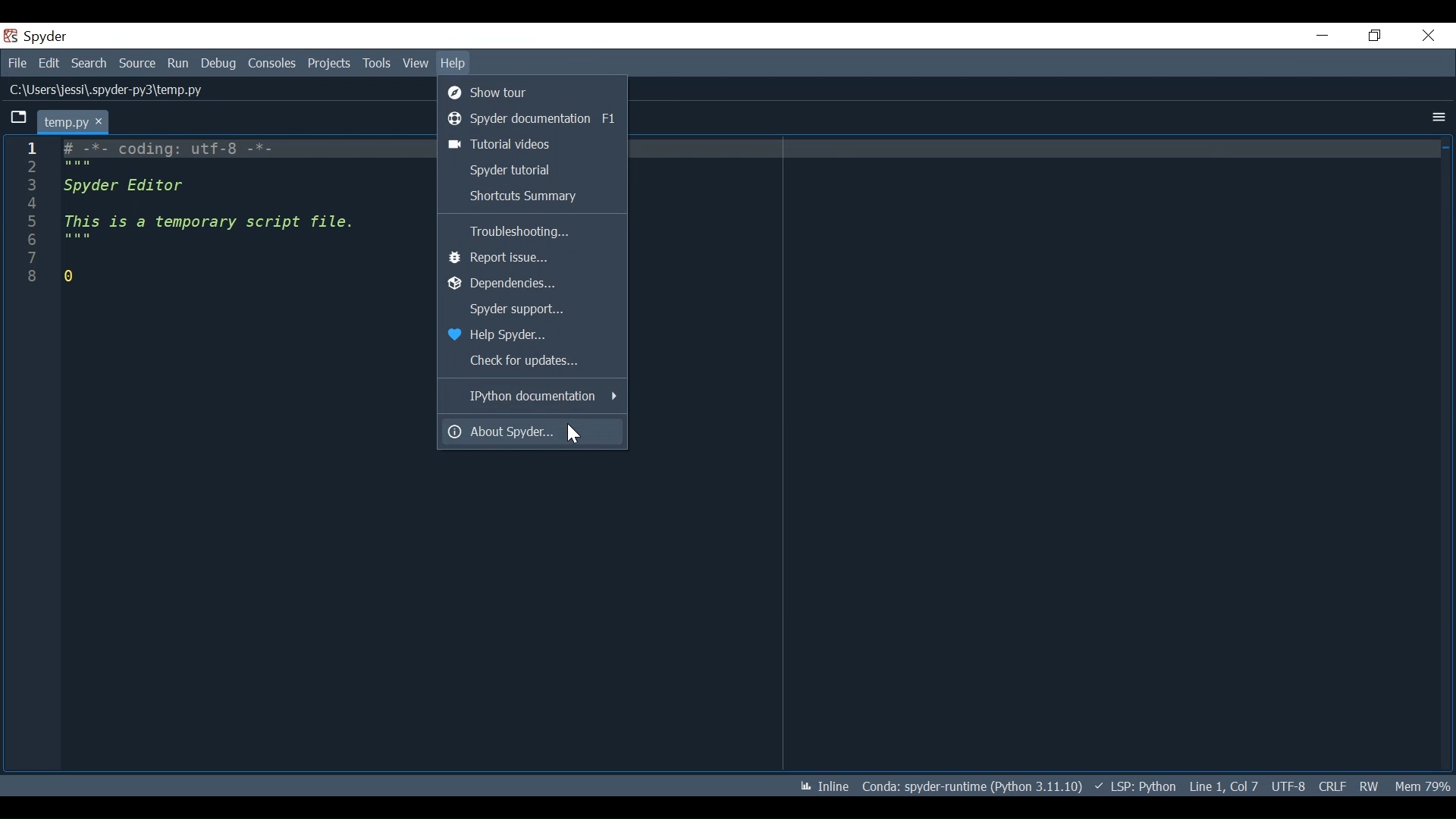  I want to click on IPython documentation, so click(534, 397).